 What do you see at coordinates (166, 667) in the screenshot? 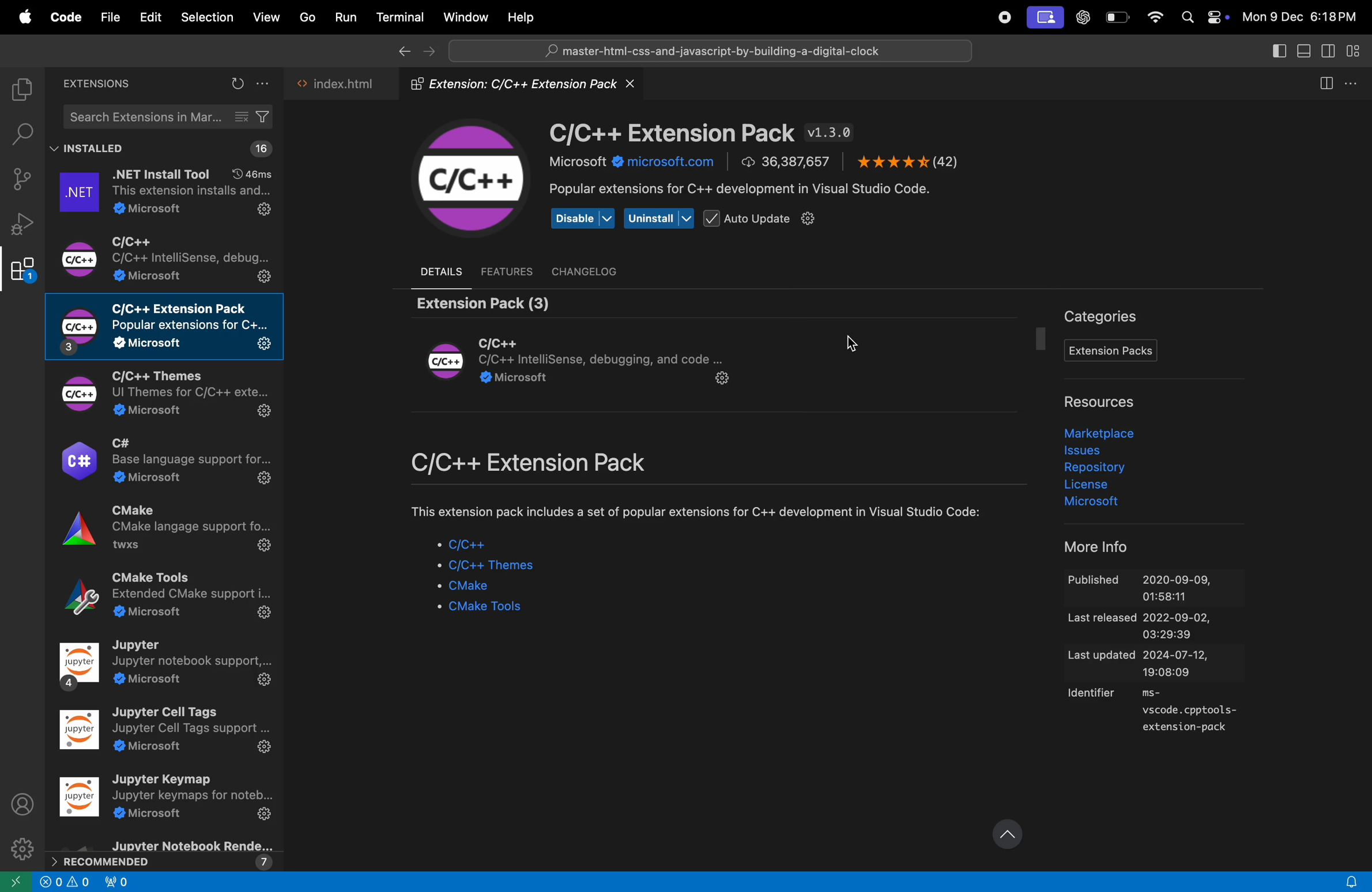
I see `jupyter note book extensions` at bounding box center [166, 667].